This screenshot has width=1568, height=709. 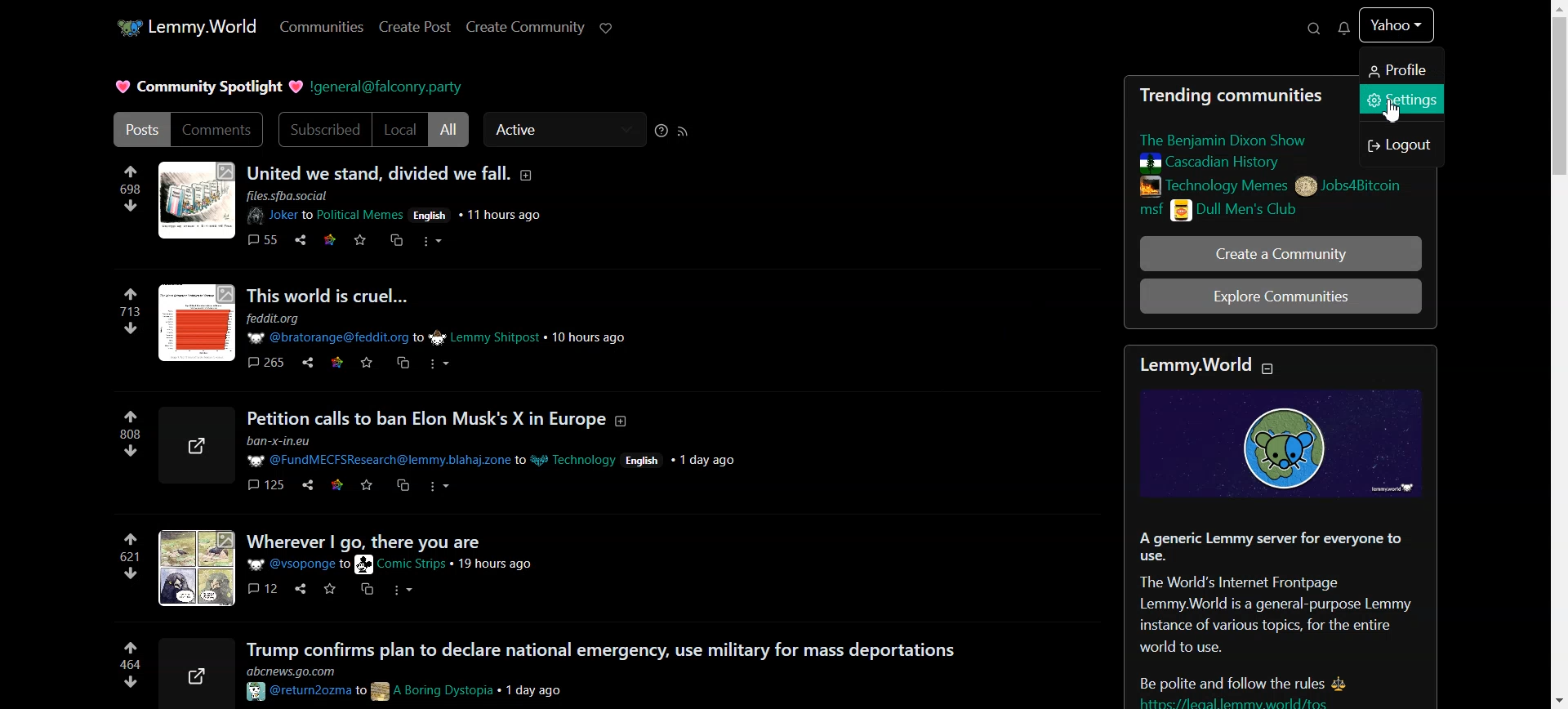 I want to click on FSResearch@lemr, so click(x=285, y=442).